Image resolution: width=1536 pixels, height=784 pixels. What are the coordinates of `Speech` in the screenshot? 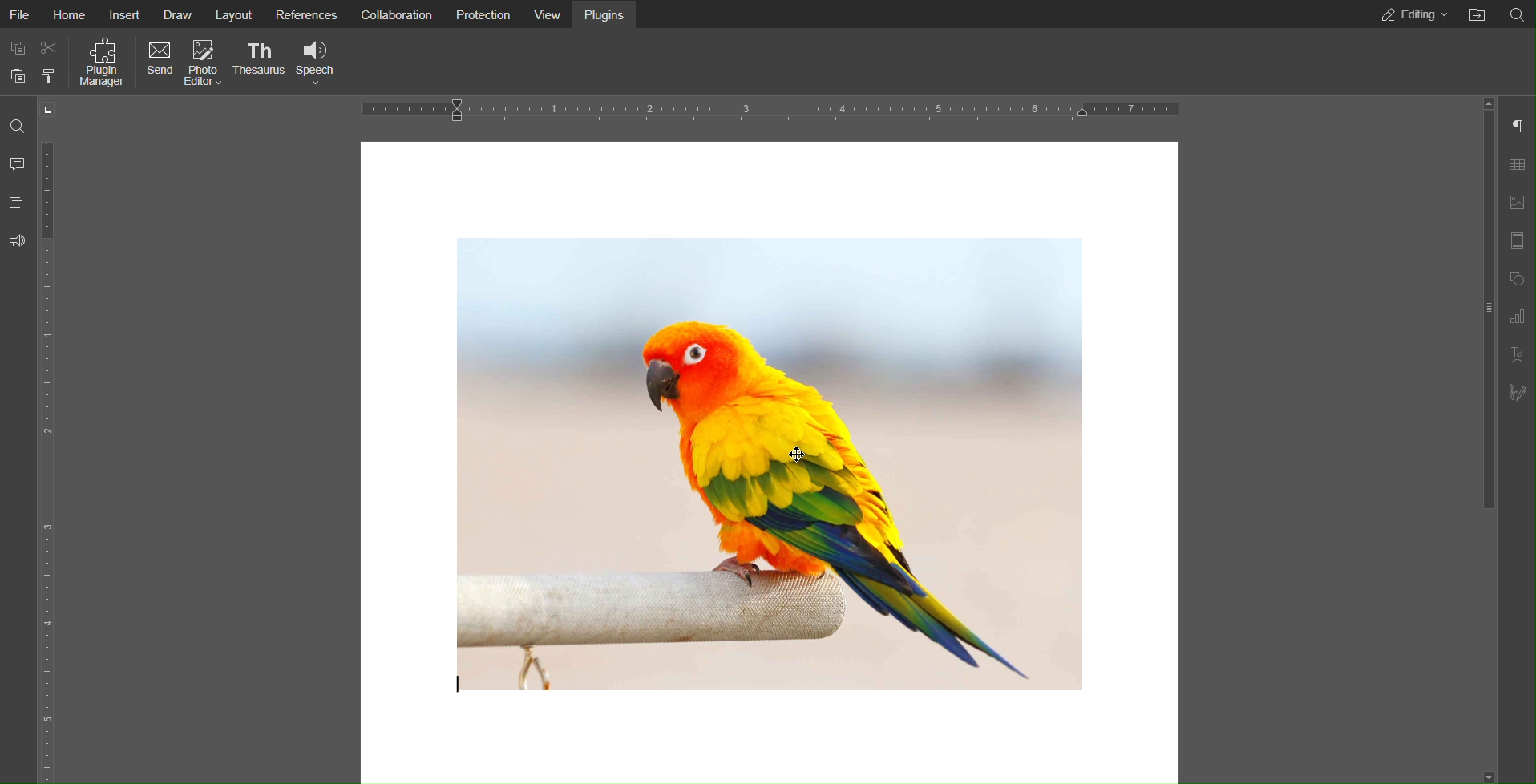 It's located at (321, 61).